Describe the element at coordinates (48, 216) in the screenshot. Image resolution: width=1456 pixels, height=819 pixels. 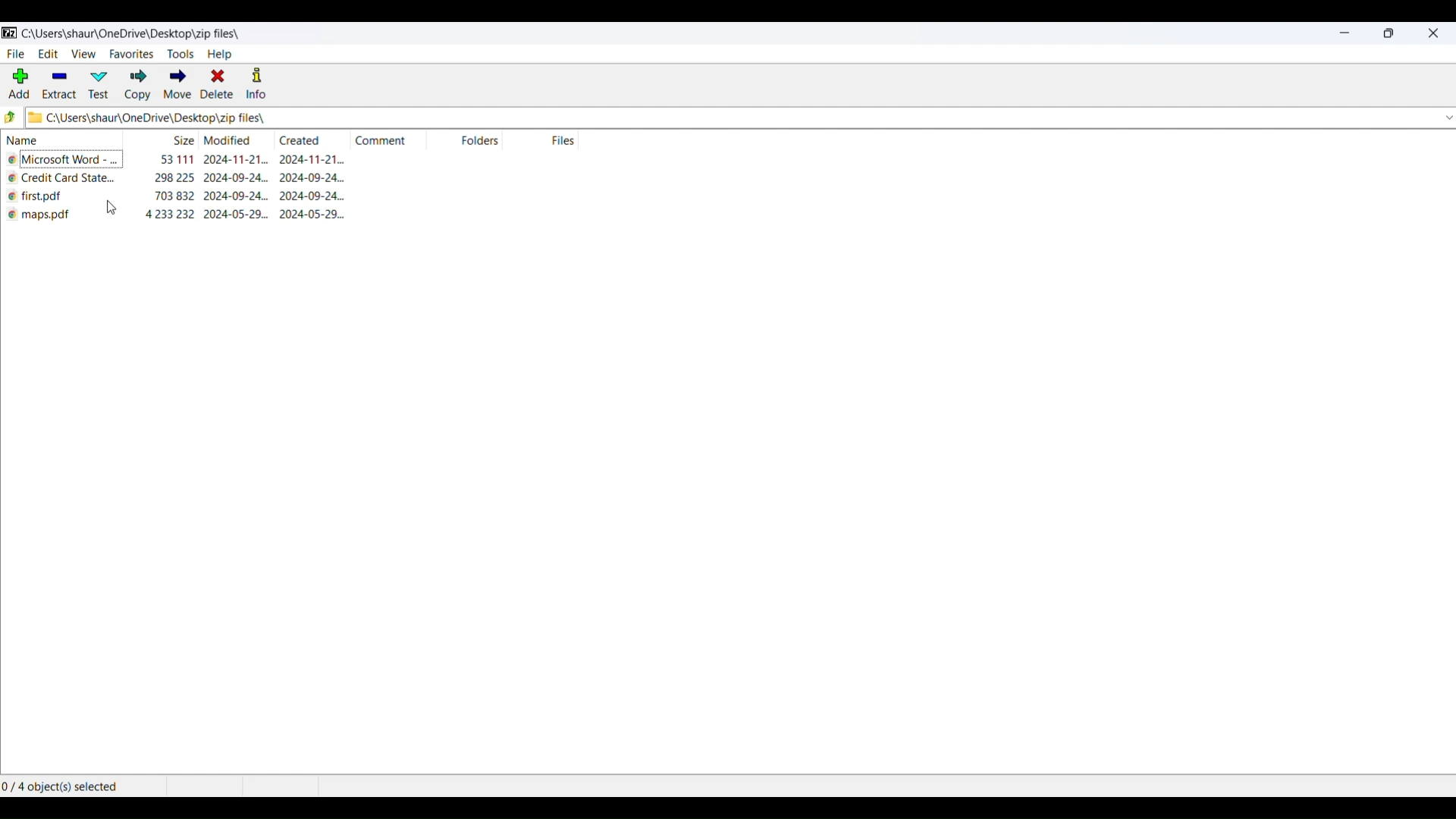
I see `file name` at that location.